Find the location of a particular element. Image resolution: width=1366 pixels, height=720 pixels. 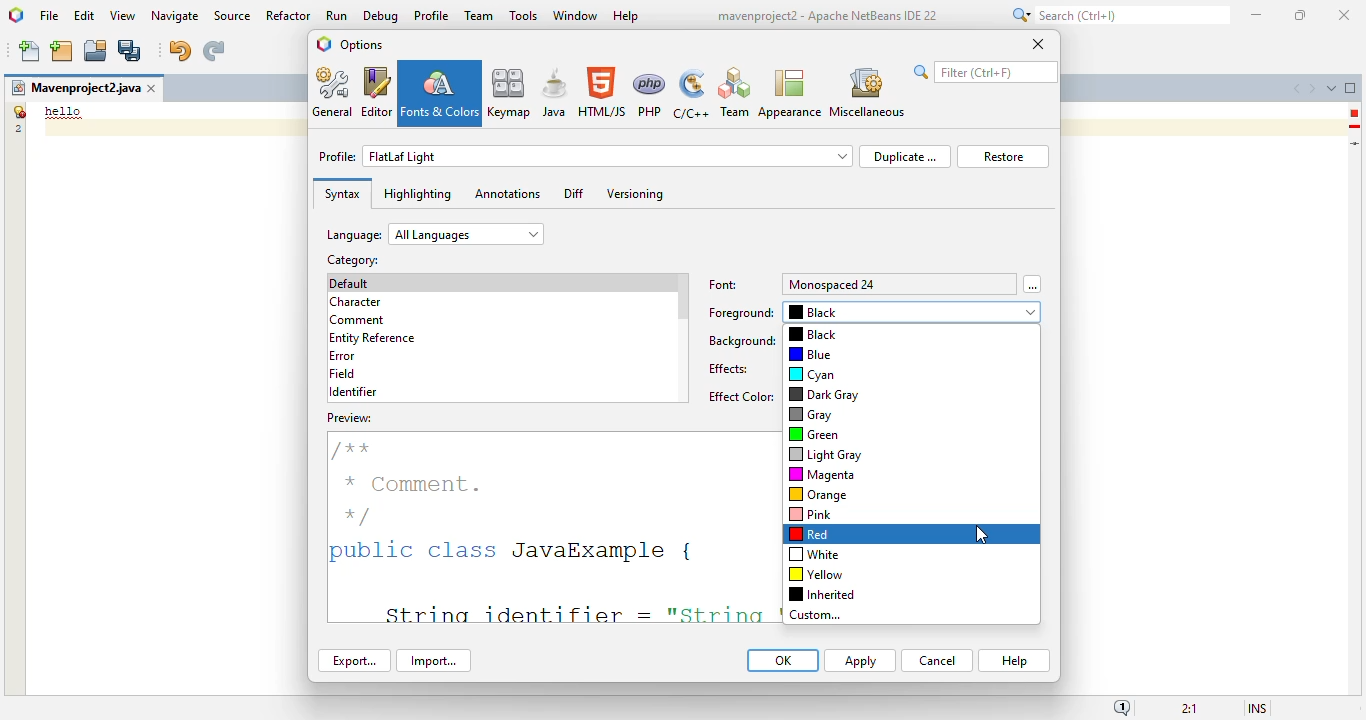

comment is located at coordinates (358, 321).